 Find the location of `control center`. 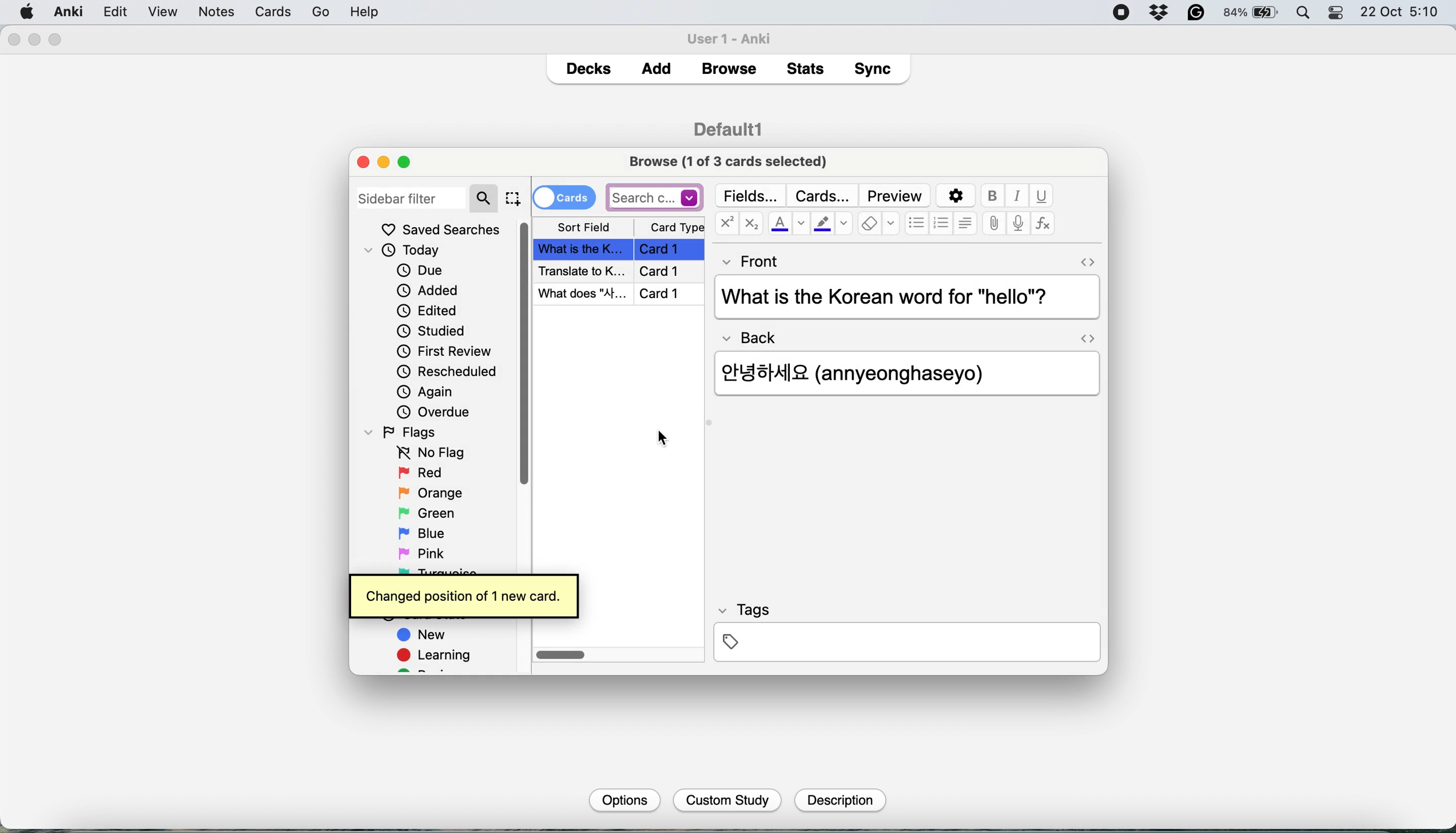

control center is located at coordinates (1337, 13).